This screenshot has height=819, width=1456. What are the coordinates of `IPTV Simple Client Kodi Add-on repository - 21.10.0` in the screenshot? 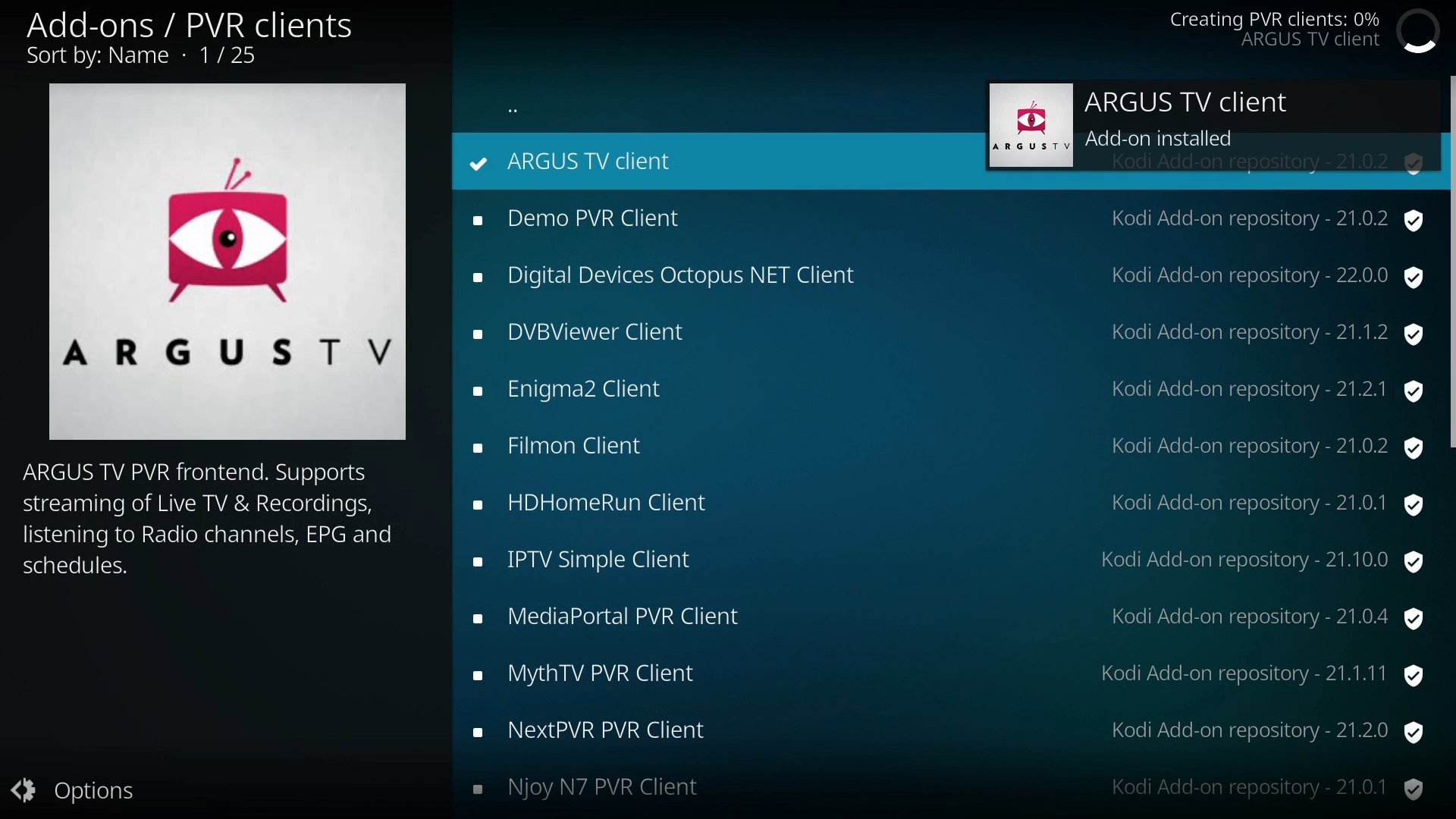 It's located at (939, 561).